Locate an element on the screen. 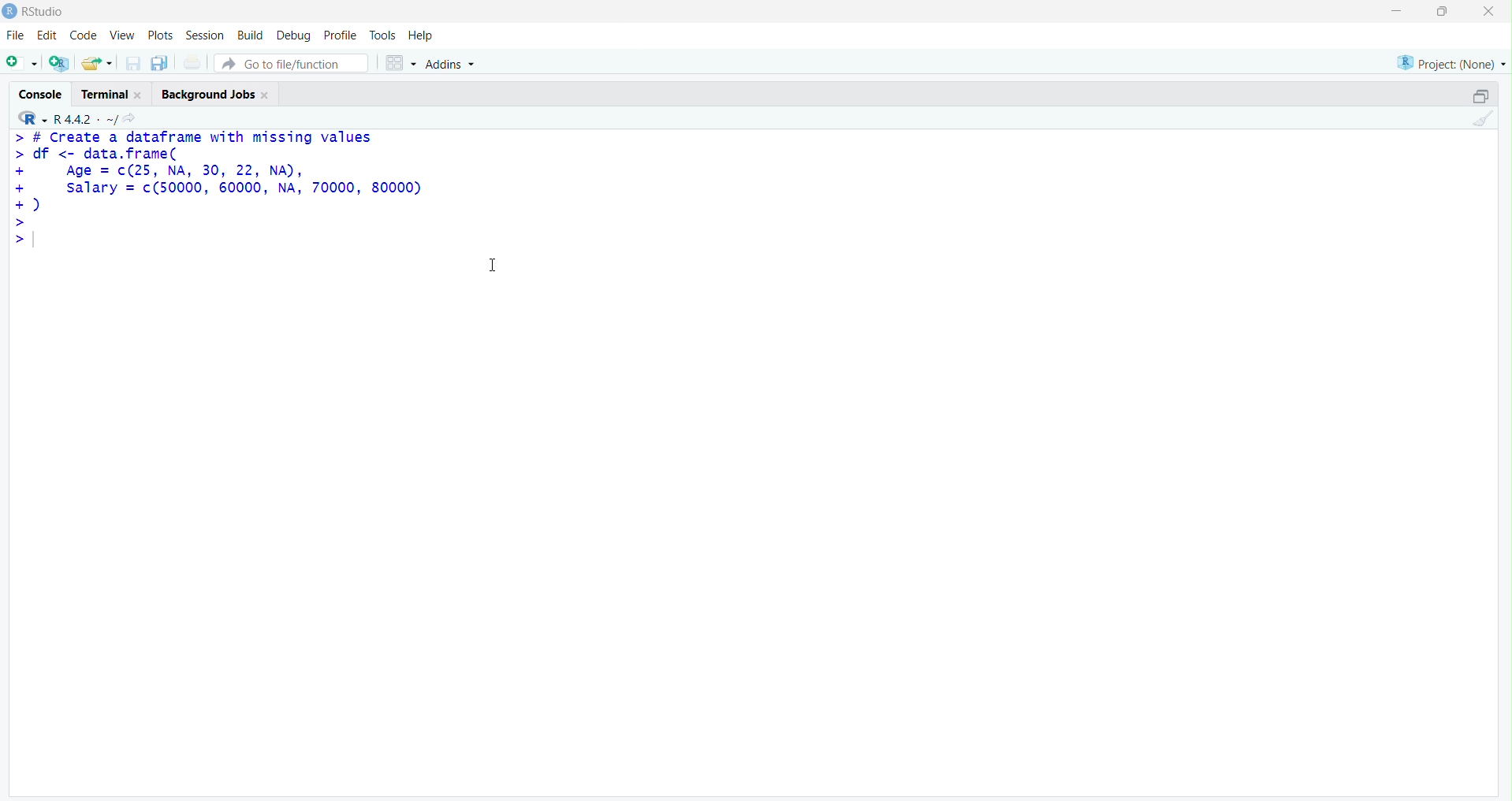  View the current working directory is located at coordinates (136, 116).